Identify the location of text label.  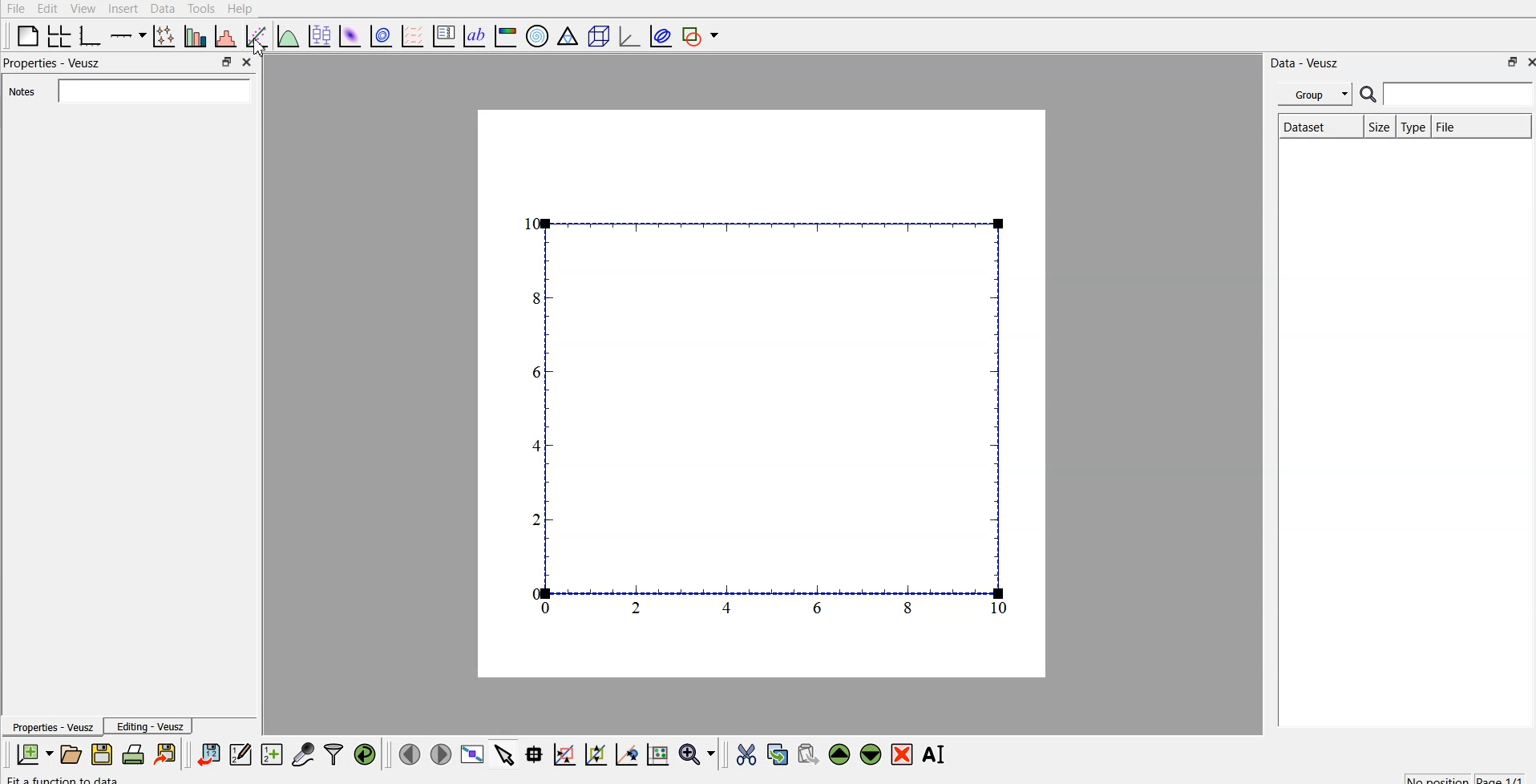
(473, 36).